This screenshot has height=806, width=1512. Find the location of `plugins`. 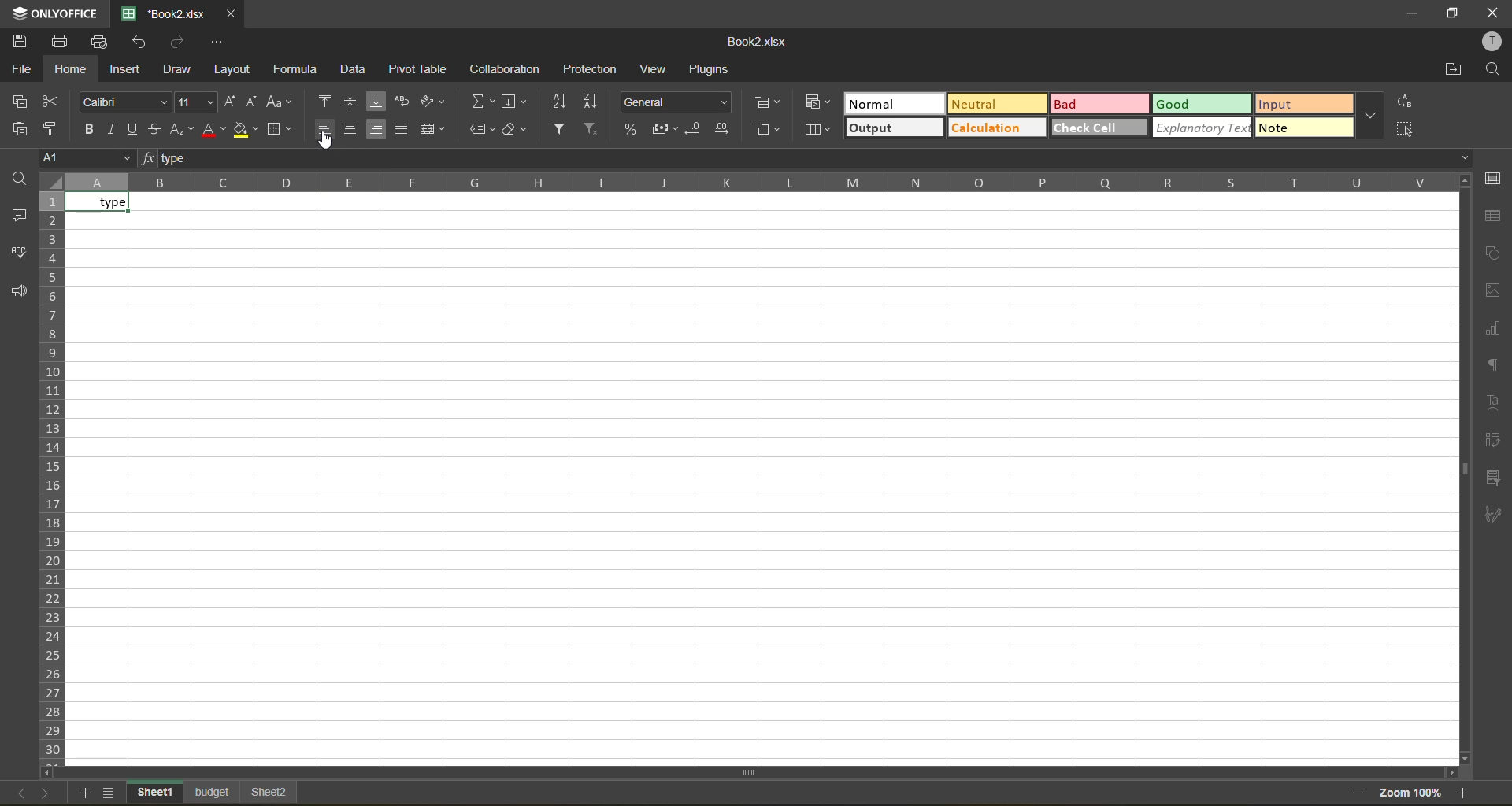

plugins is located at coordinates (706, 68).